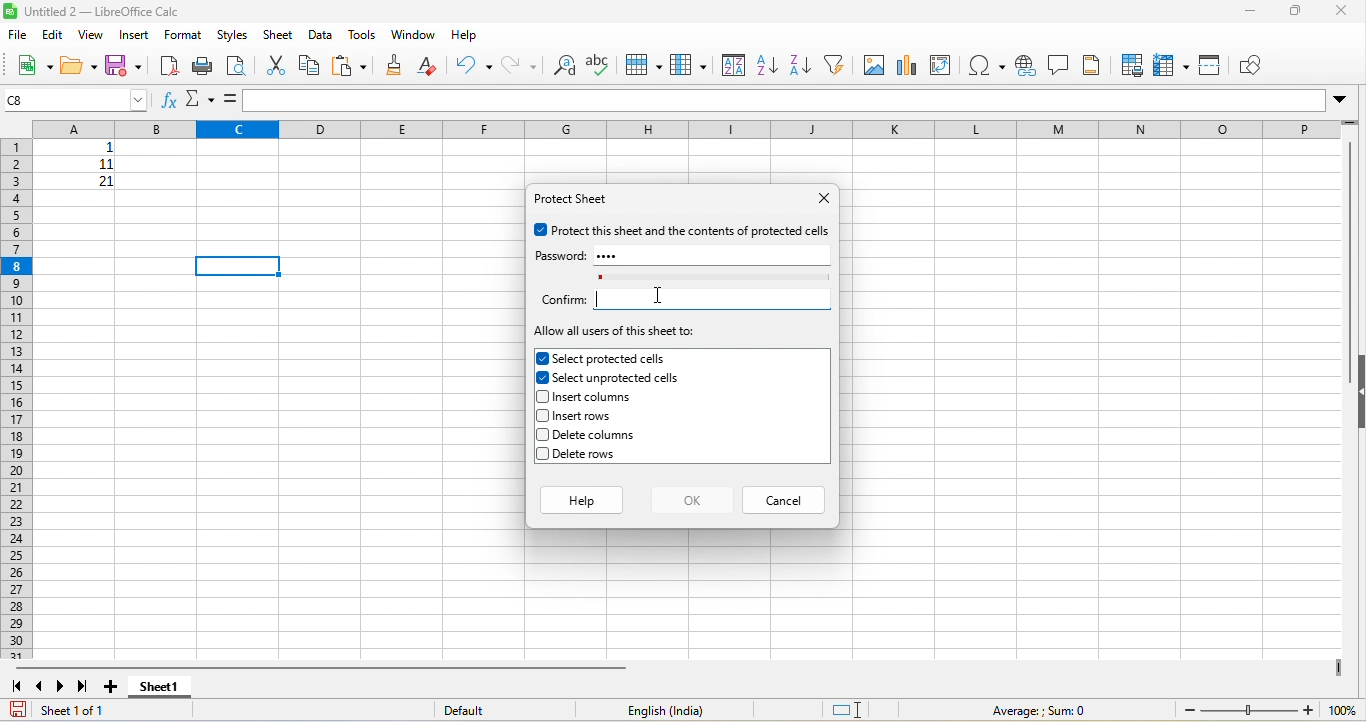 Image resolution: width=1366 pixels, height=722 pixels. What do you see at coordinates (598, 64) in the screenshot?
I see `spelling` at bounding box center [598, 64].